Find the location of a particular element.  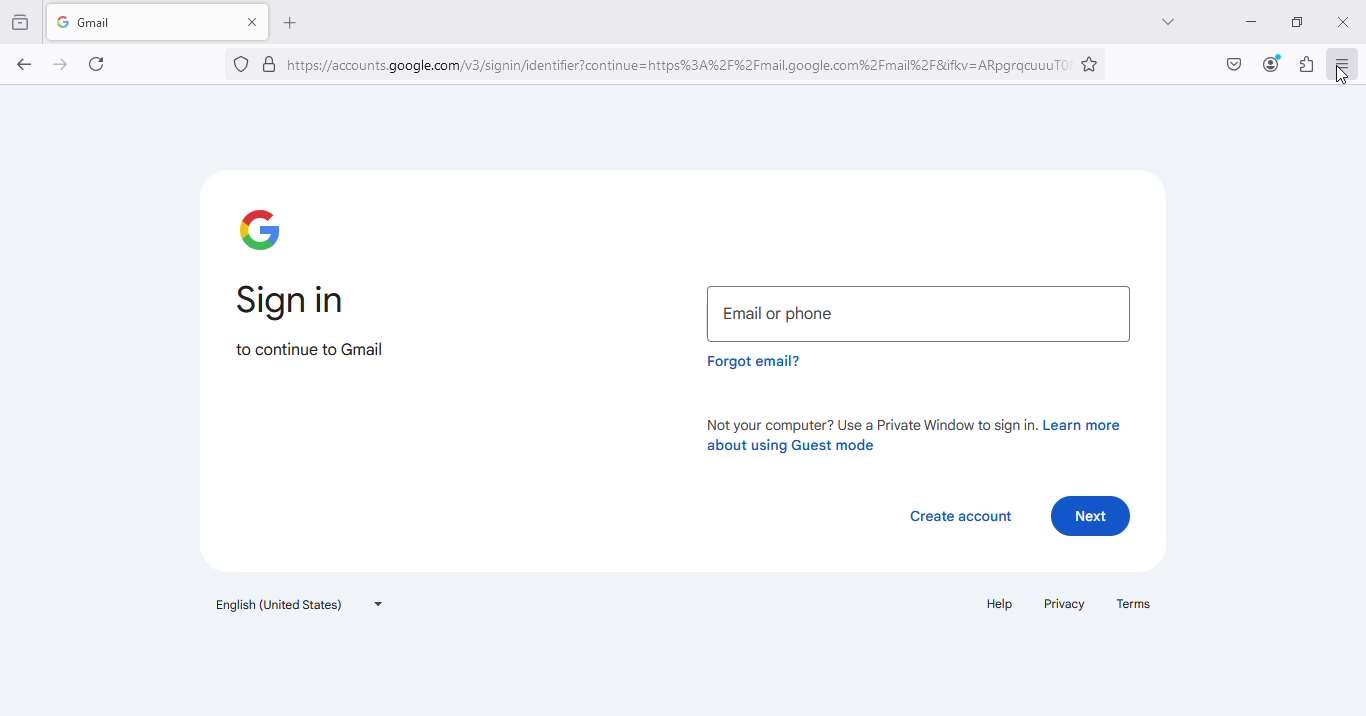

google logo is located at coordinates (261, 229).